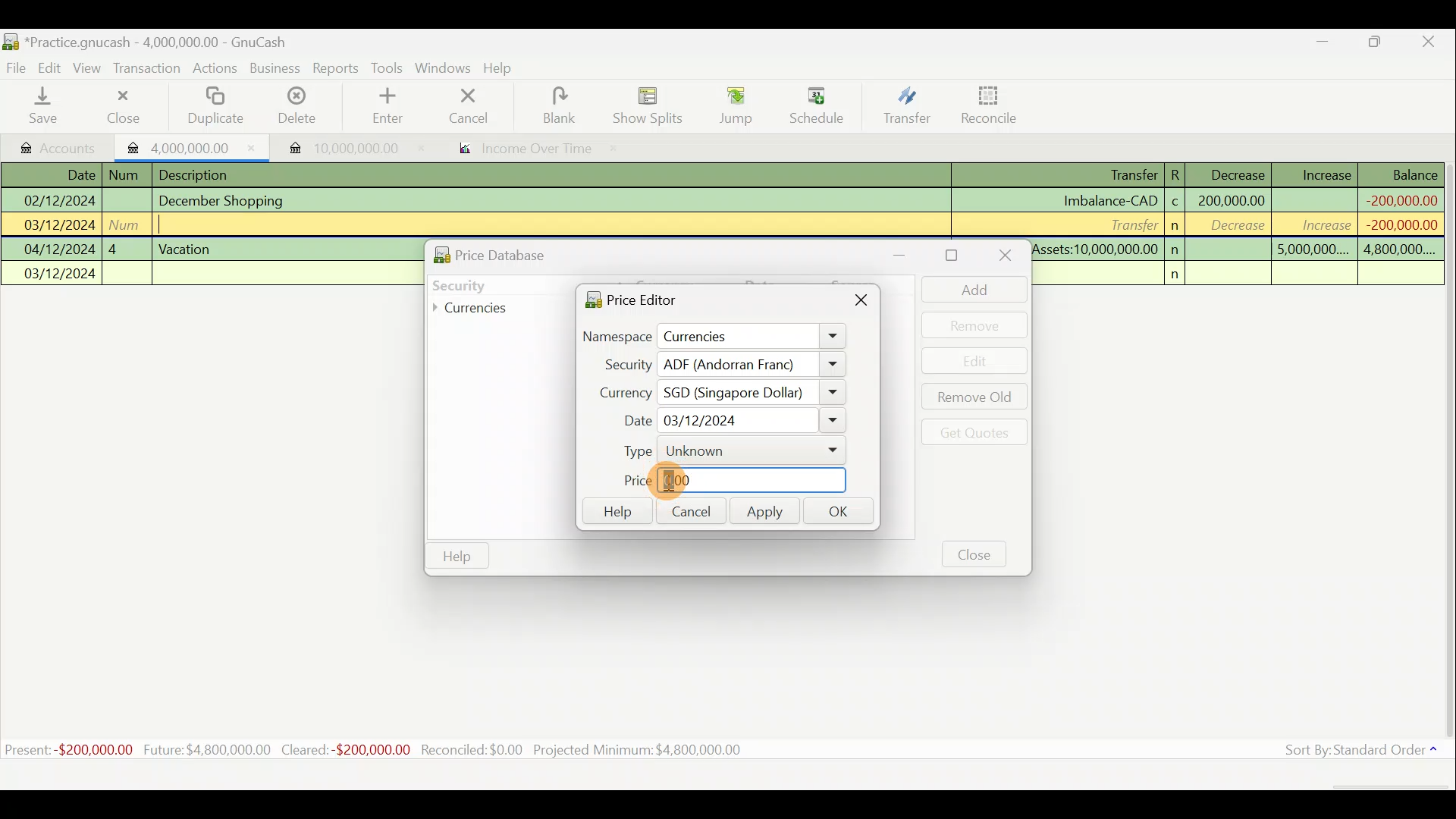 The height and width of the screenshot is (819, 1456). Describe the element at coordinates (457, 557) in the screenshot. I see `Help` at that location.